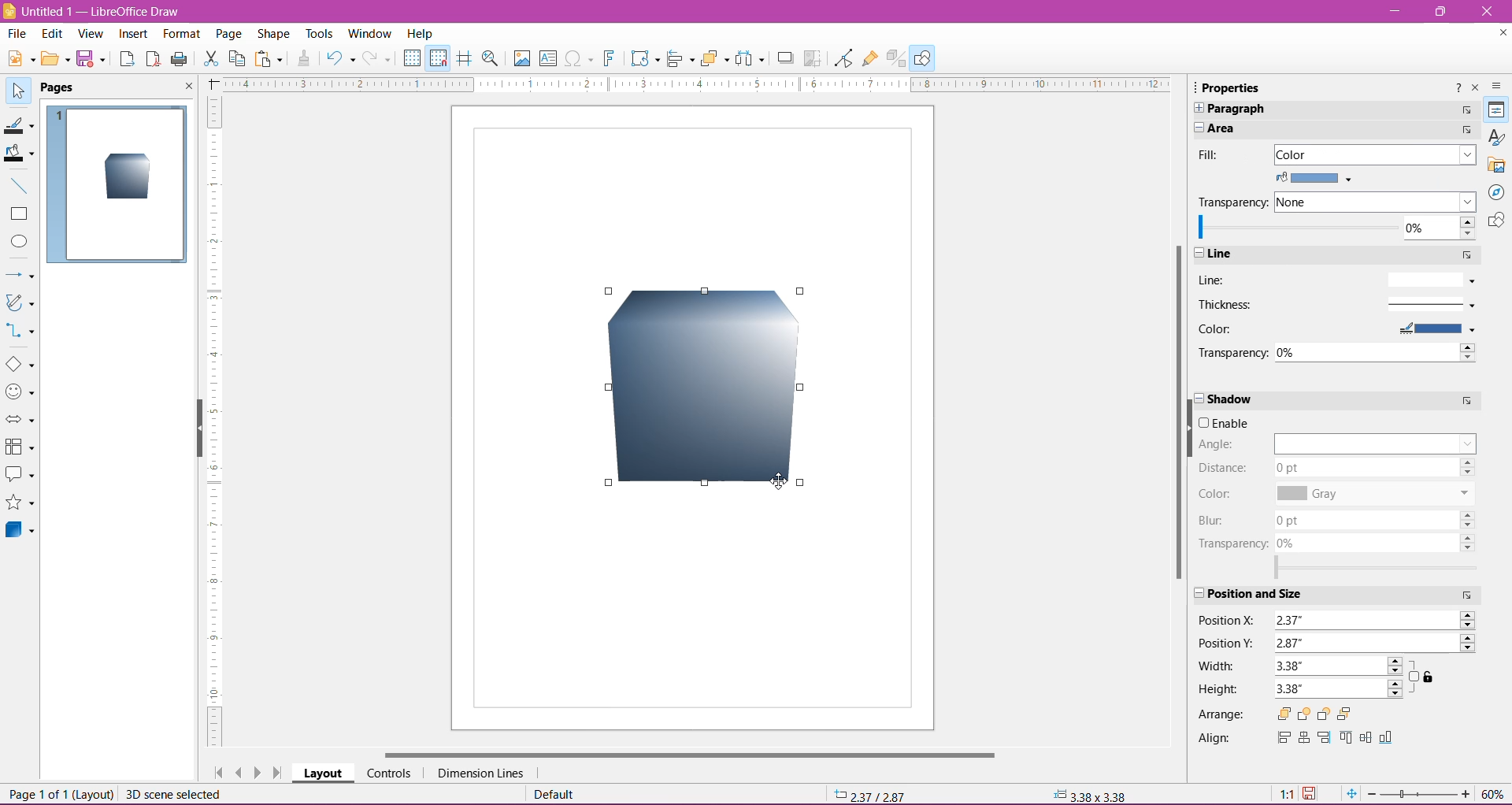 The width and height of the screenshot is (1512, 805). I want to click on Selected object size, so click(1100, 796).